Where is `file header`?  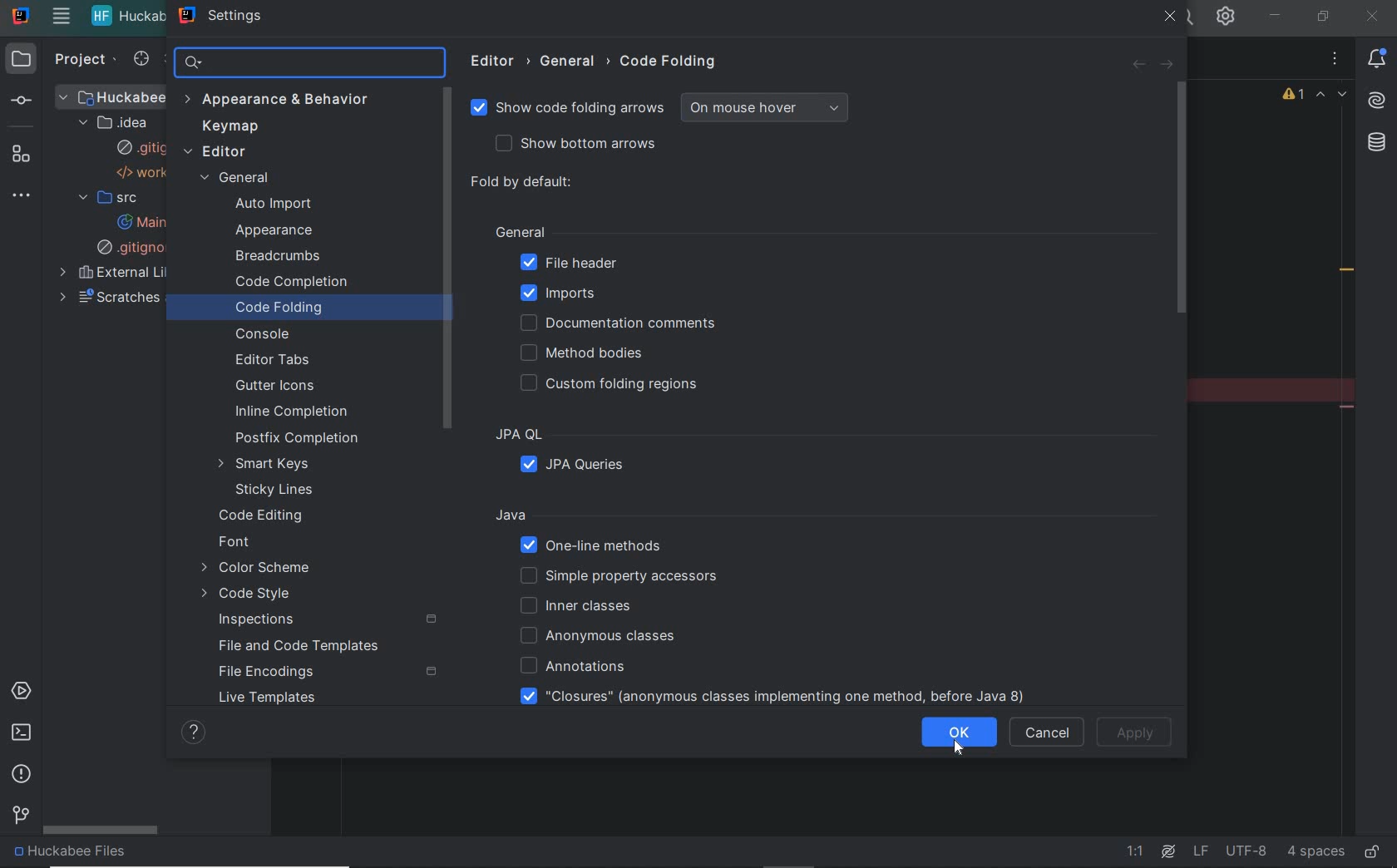 file header is located at coordinates (566, 263).